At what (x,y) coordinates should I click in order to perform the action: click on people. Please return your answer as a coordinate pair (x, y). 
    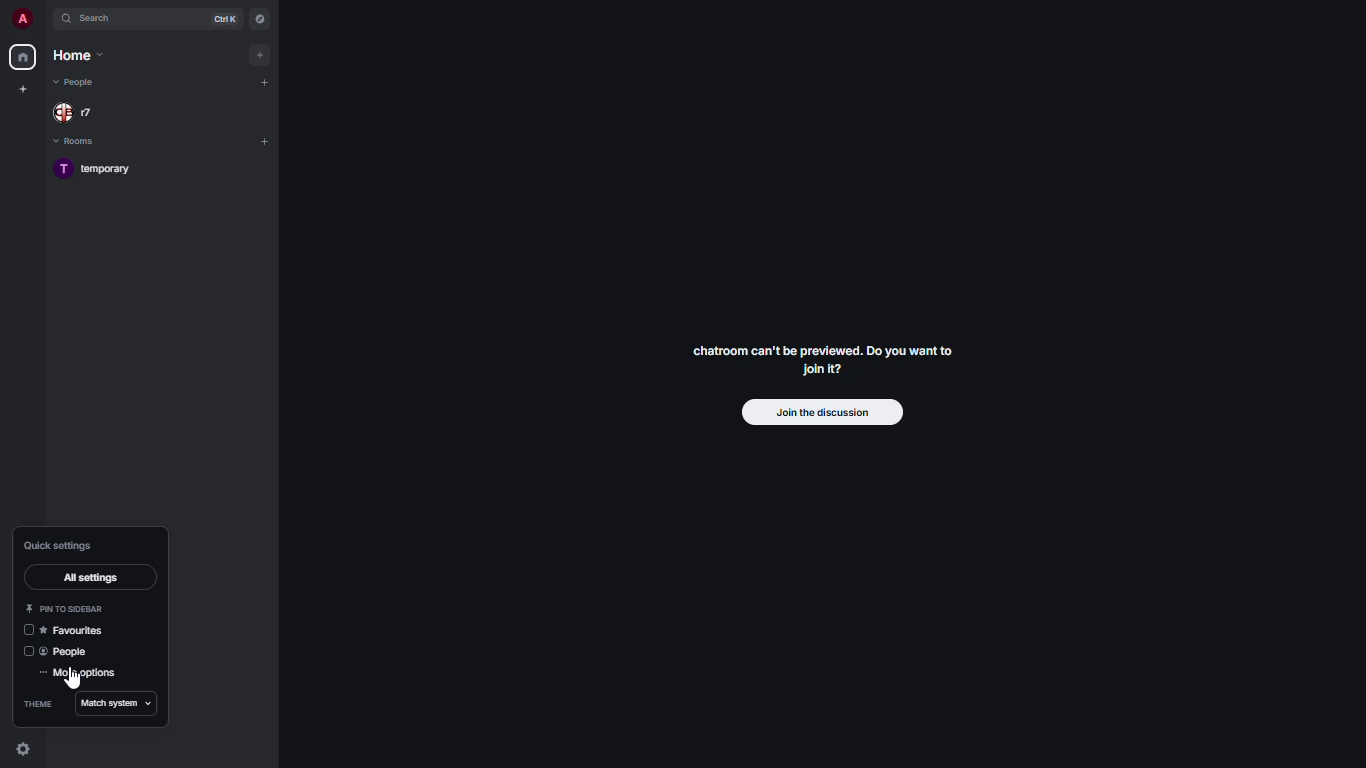
    Looking at the image, I should click on (77, 113).